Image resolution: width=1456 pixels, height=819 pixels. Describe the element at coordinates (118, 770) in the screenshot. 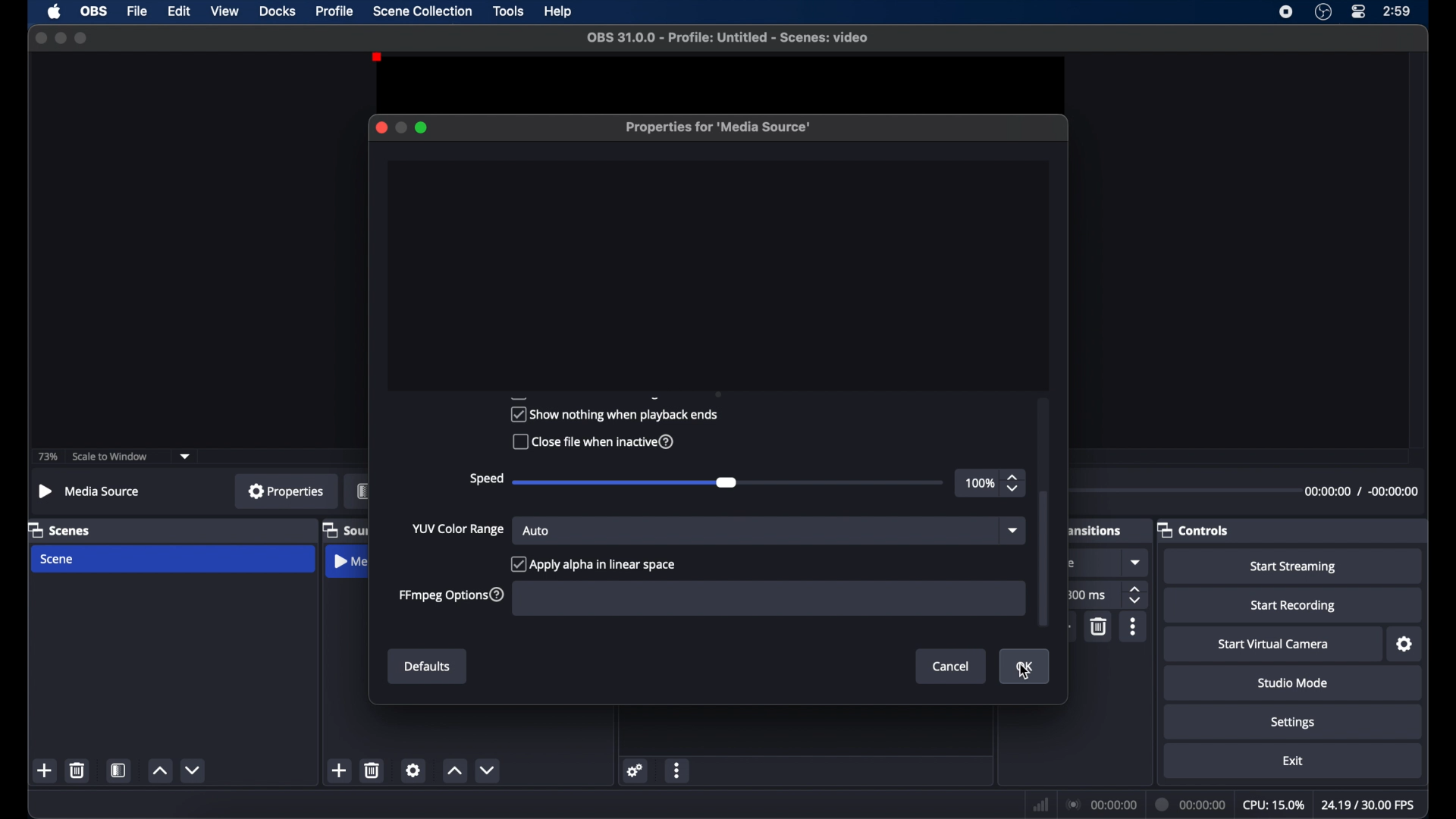

I see `scene filters` at that location.